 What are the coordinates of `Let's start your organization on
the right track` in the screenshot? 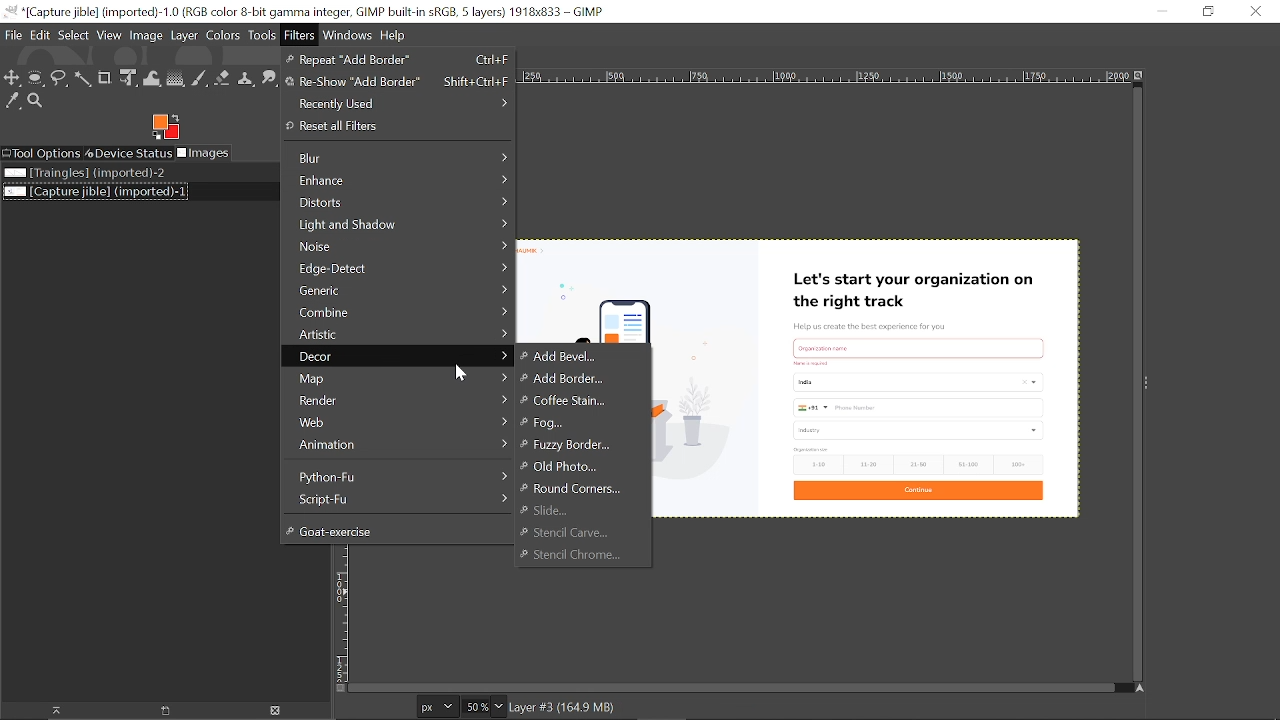 It's located at (910, 289).